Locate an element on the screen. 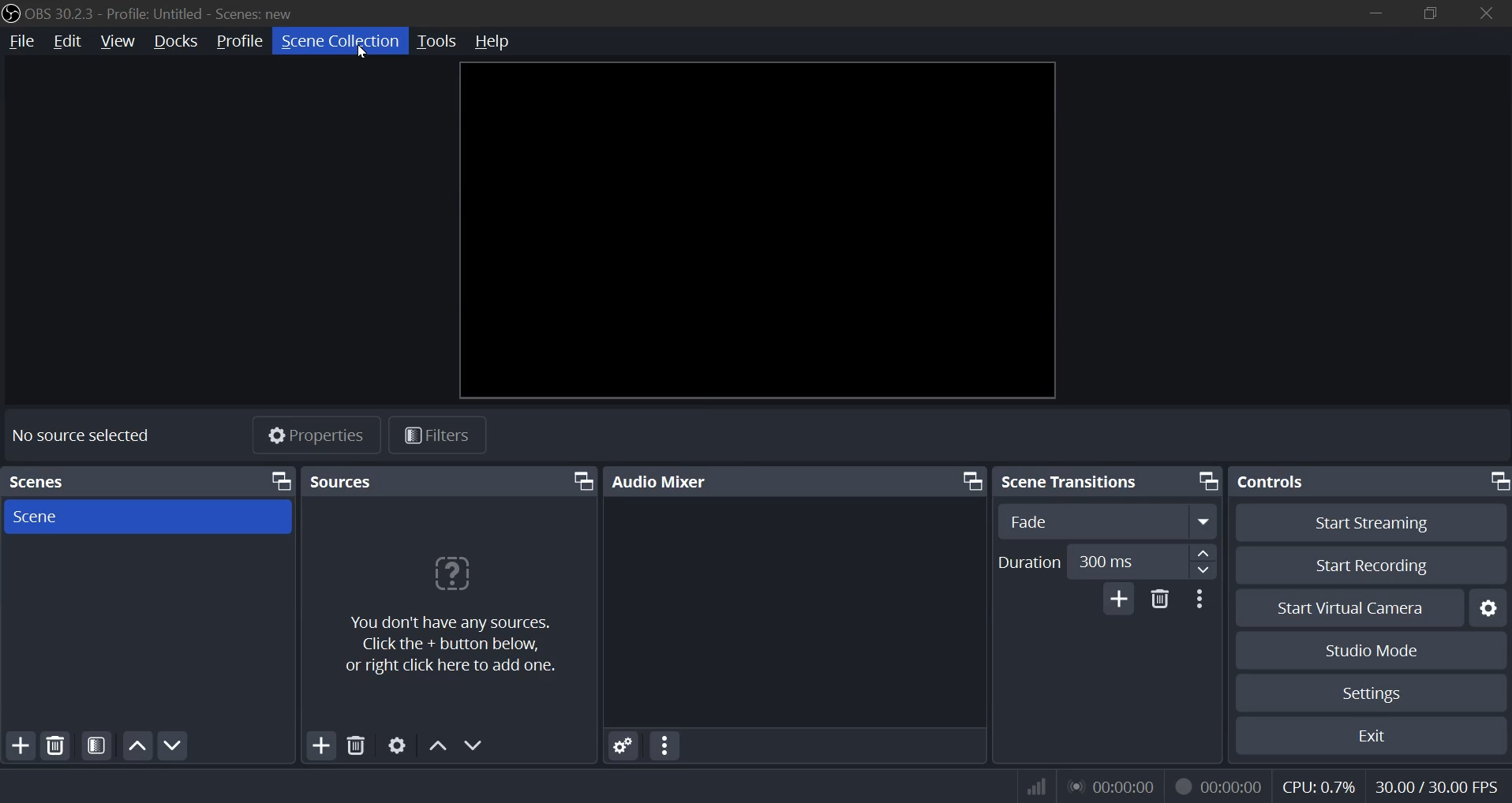  OBS 30.2.3 - Profile: Untitled - Scenes: new is located at coordinates (166, 12).